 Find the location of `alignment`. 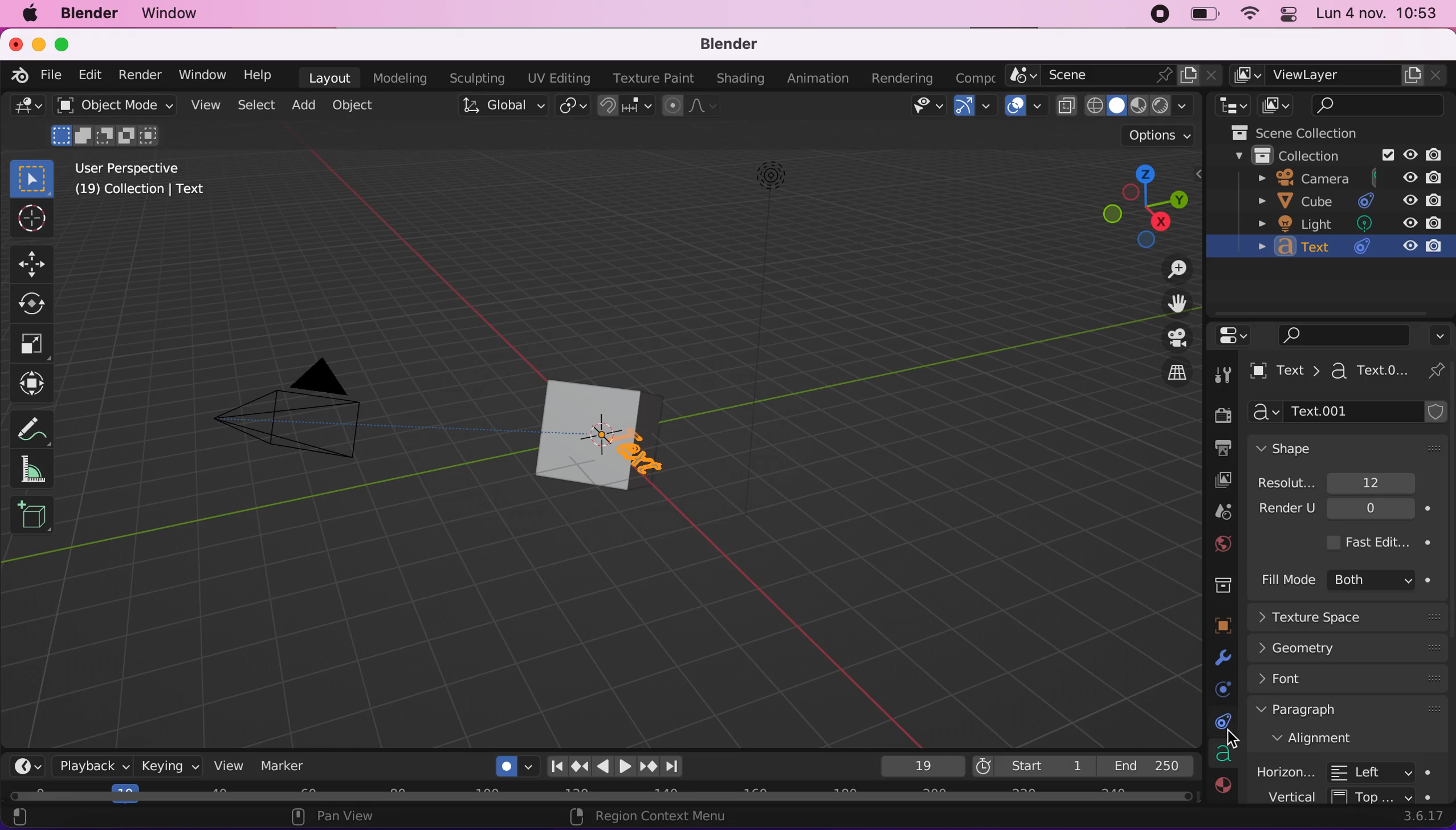

alignment is located at coordinates (1348, 741).